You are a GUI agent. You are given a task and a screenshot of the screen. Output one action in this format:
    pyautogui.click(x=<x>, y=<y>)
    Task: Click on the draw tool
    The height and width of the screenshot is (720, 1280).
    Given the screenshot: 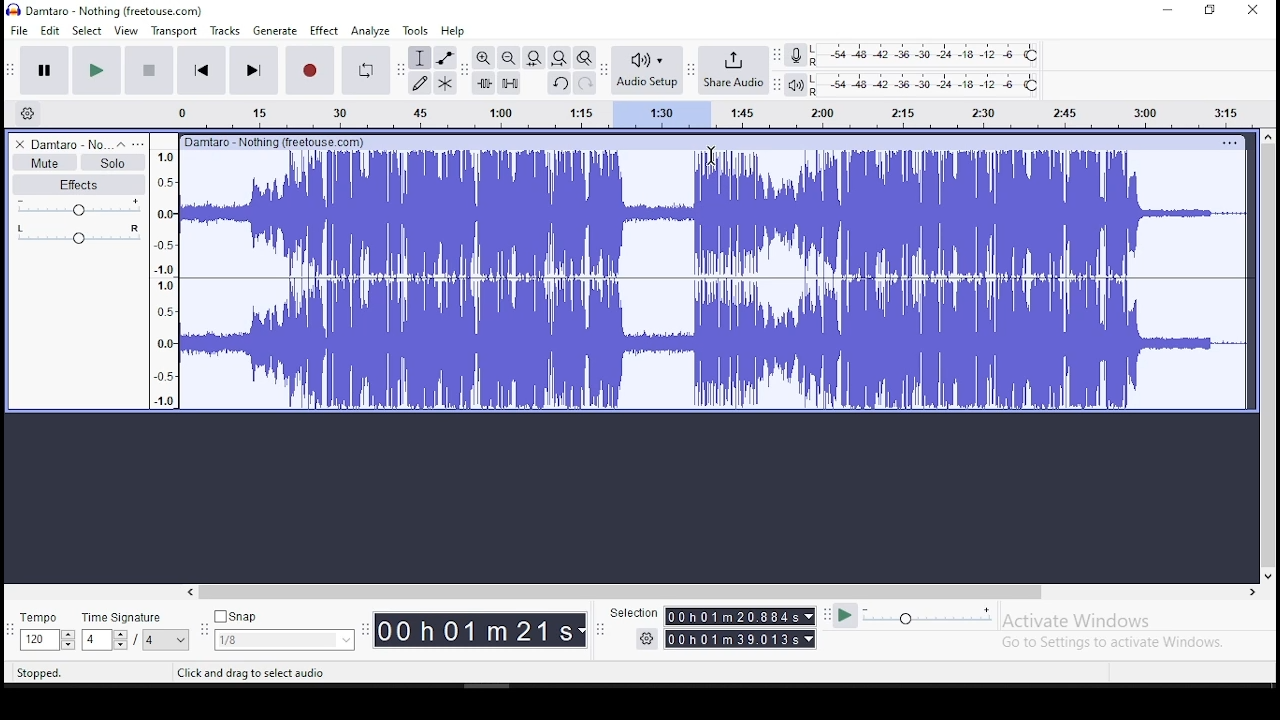 What is the action you would take?
    pyautogui.click(x=420, y=83)
    